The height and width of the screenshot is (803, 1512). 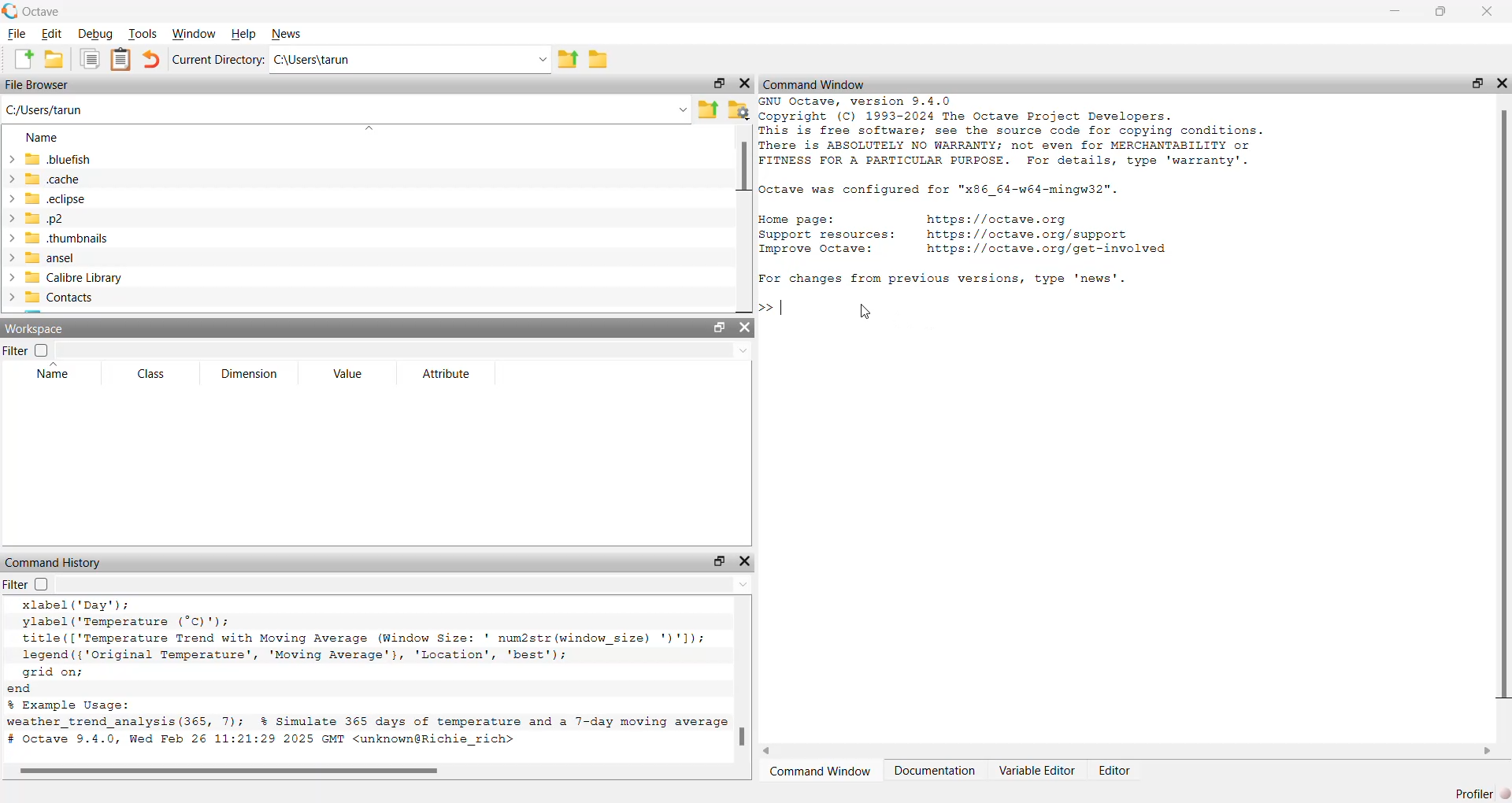 What do you see at coordinates (711, 329) in the screenshot?
I see `maximise` at bounding box center [711, 329].